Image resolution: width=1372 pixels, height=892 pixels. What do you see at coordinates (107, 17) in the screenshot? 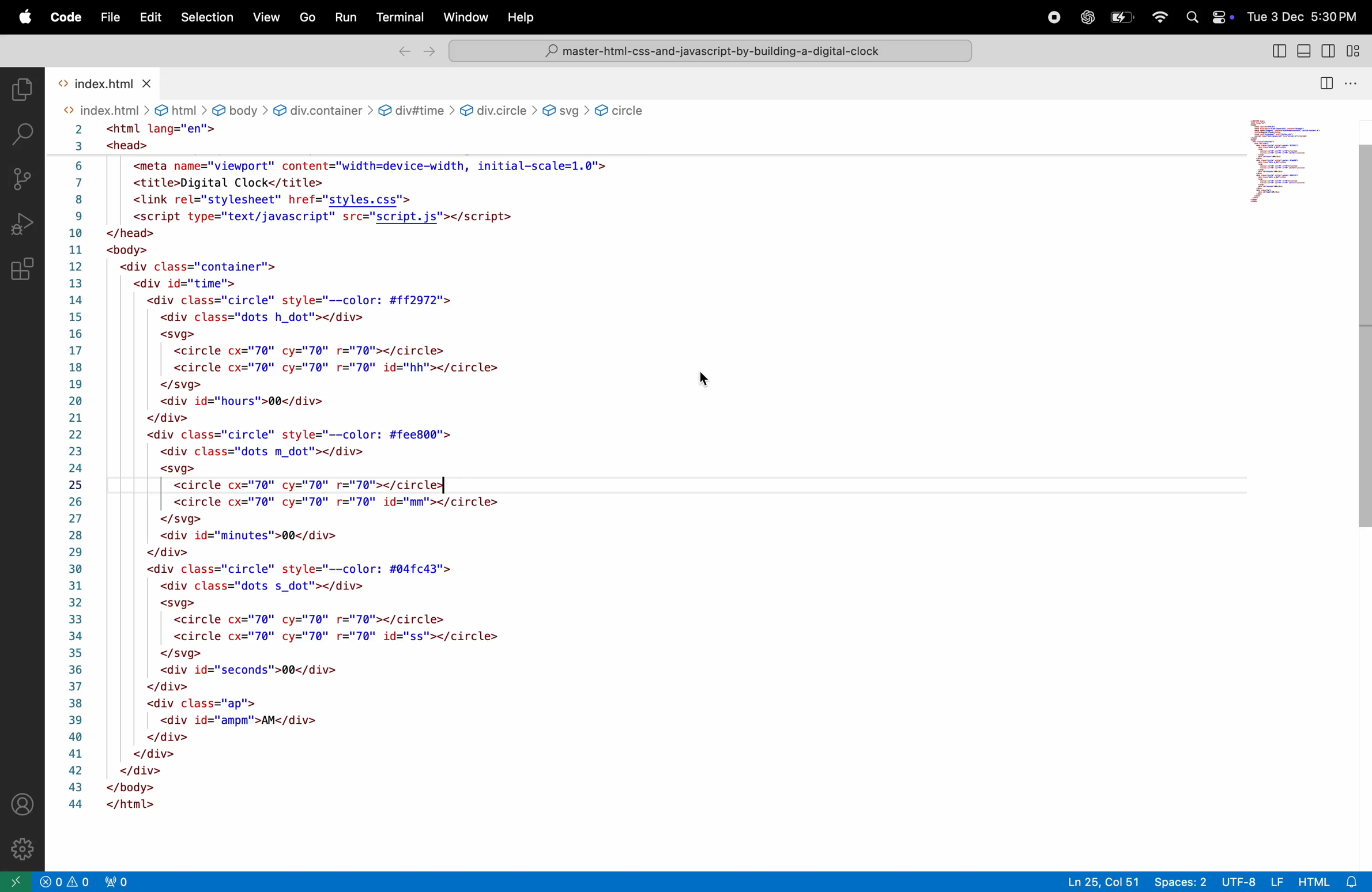
I see `file` at bounding box center [107, 17].